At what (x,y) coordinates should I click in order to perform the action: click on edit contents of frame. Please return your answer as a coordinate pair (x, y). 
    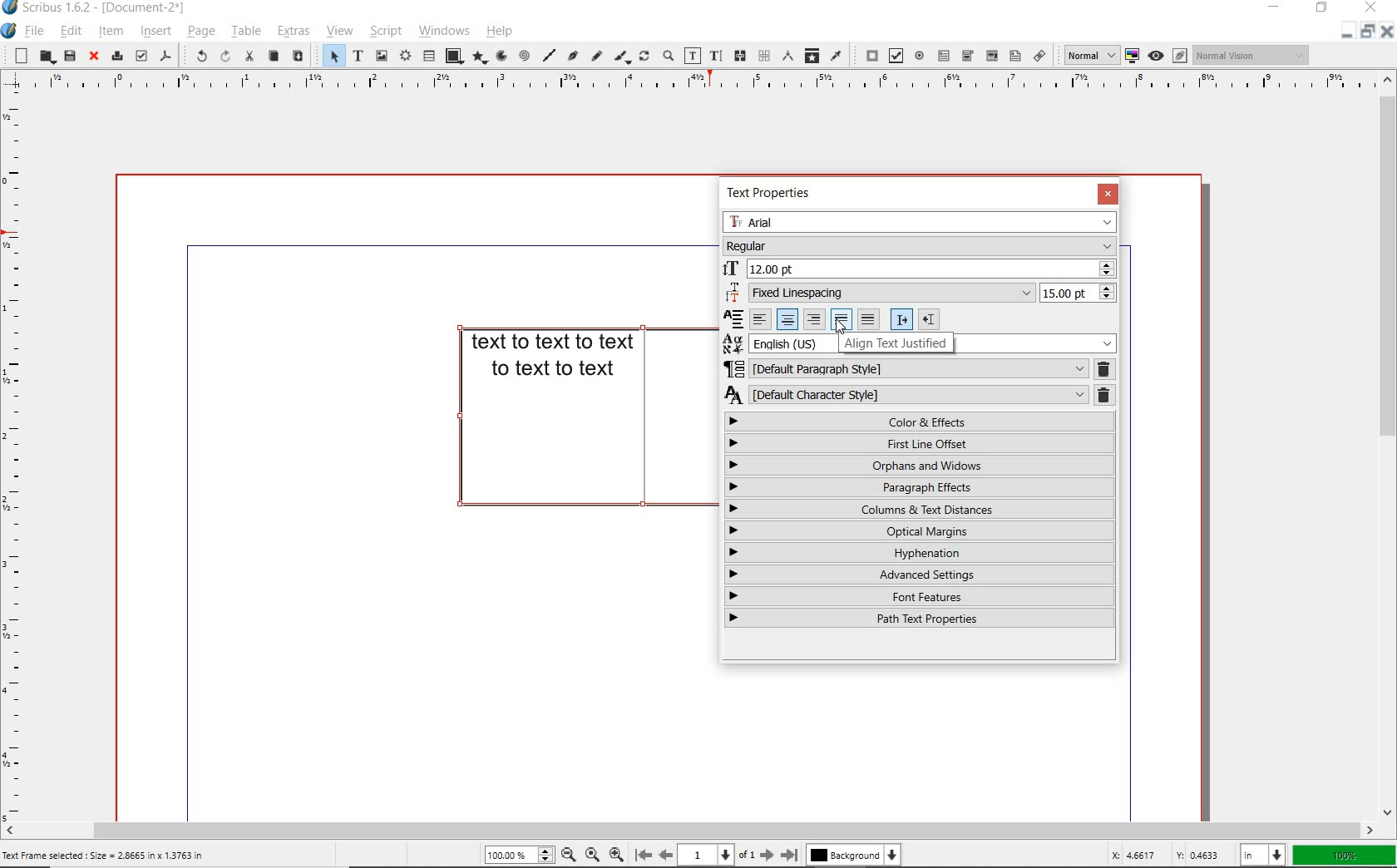
    Looking at the image, I should click on (693, 57).